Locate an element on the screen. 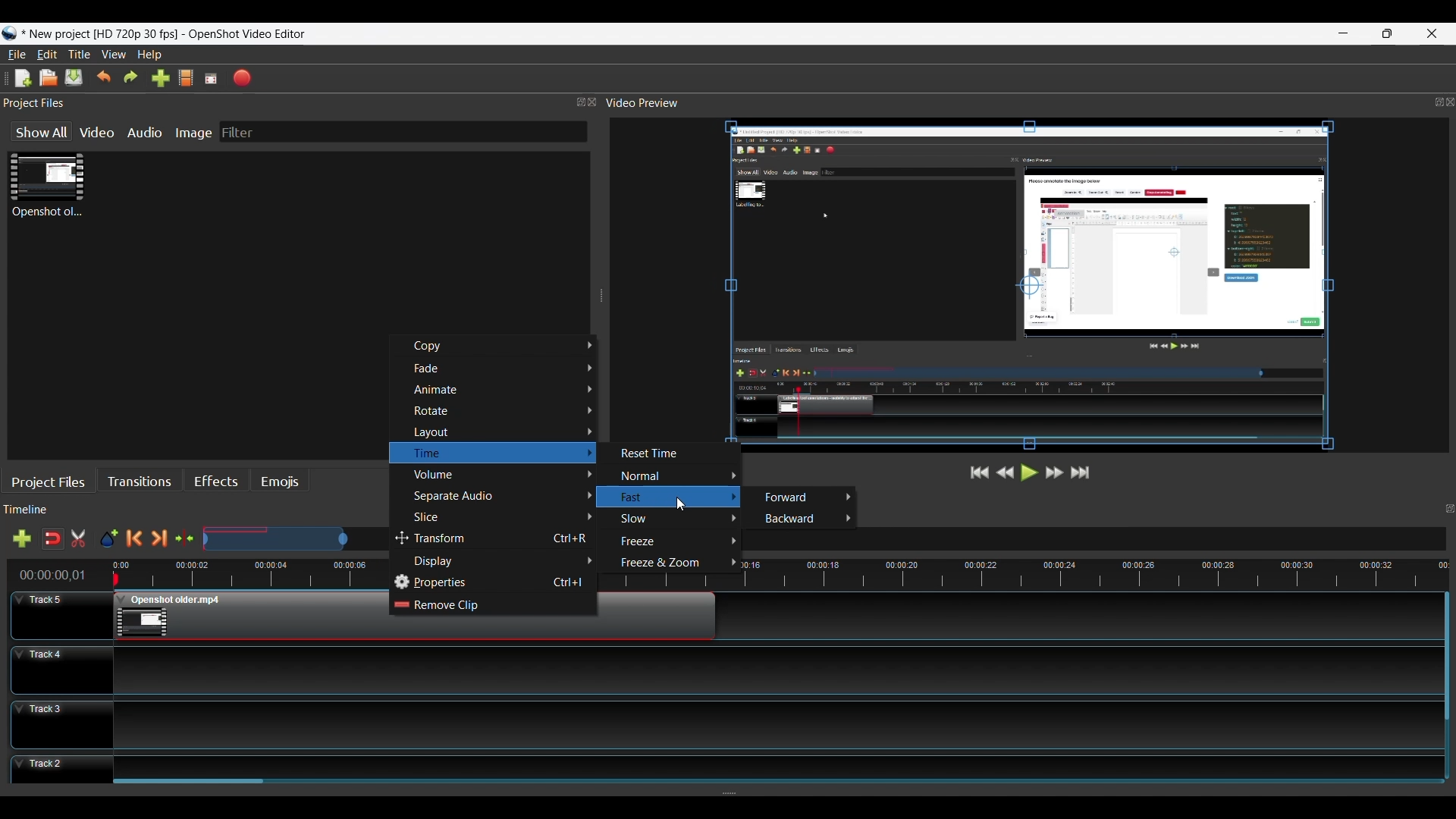  minimize is located at coordinates (1345, 33).